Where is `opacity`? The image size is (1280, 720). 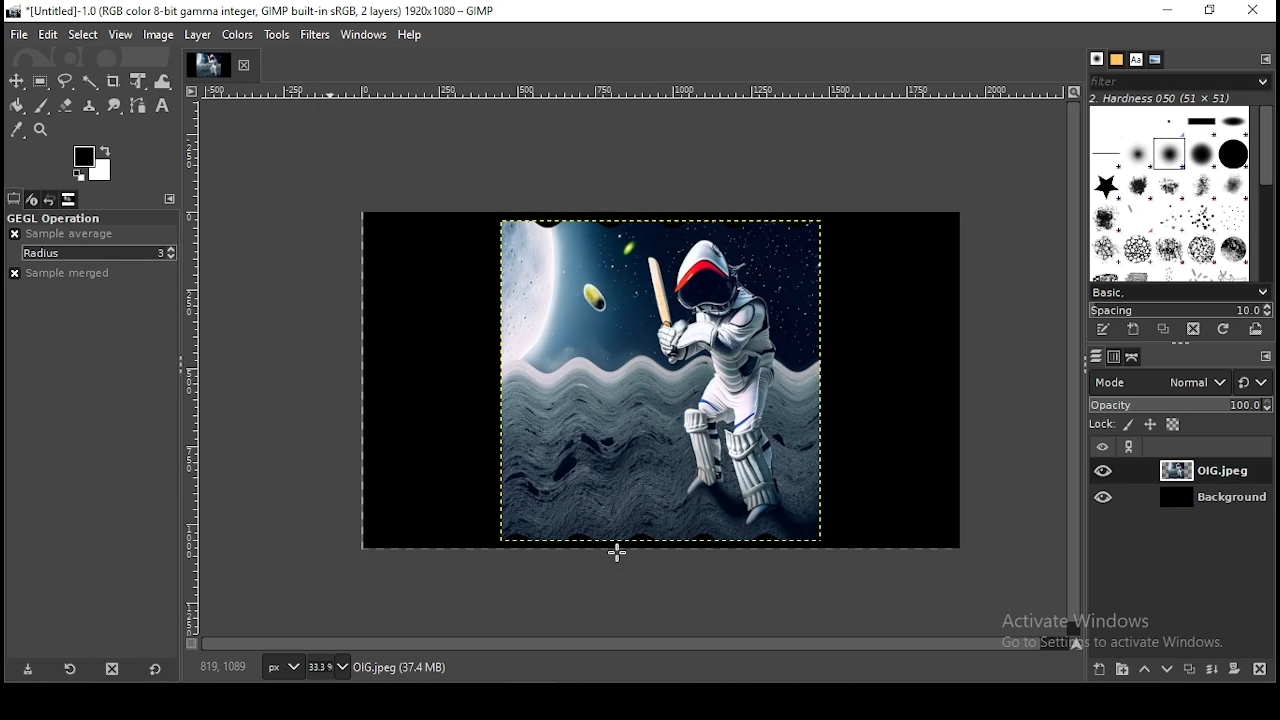
opacity is located at coordinates (1180, 404).